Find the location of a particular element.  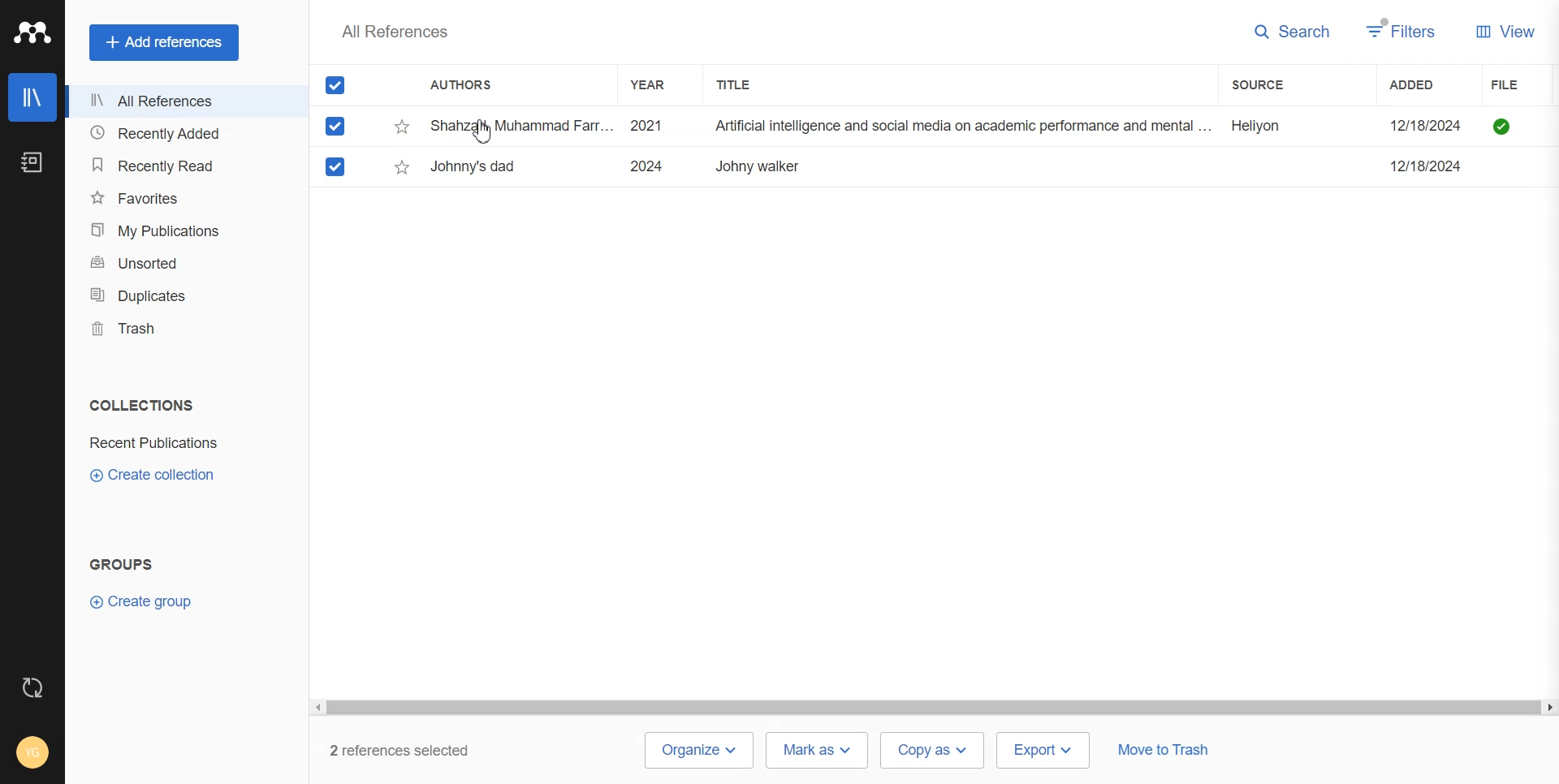

Duplicates is located at coordinates (181, 295).